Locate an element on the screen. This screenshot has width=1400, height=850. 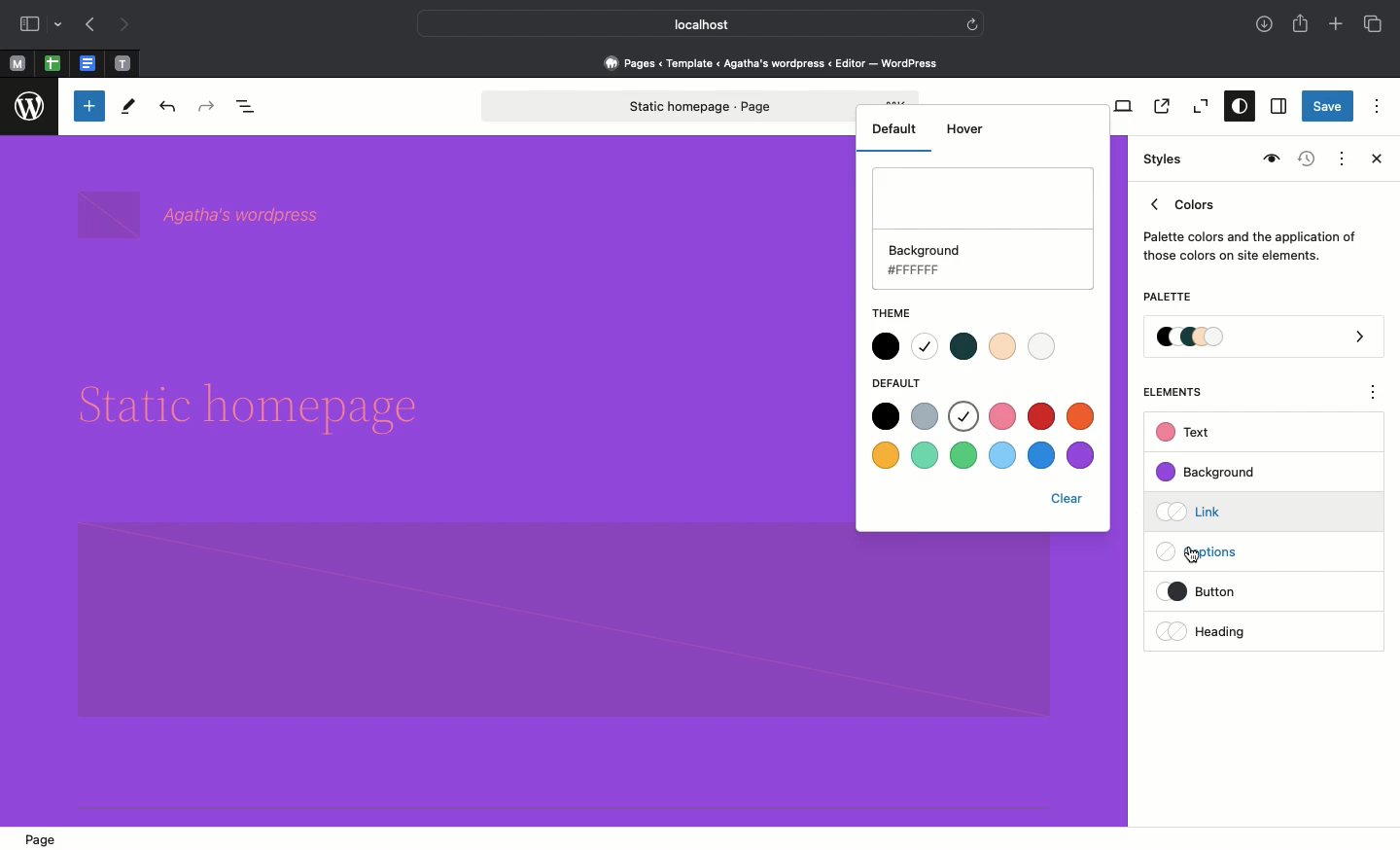
Downloads is located at coordinates (1266, 26).